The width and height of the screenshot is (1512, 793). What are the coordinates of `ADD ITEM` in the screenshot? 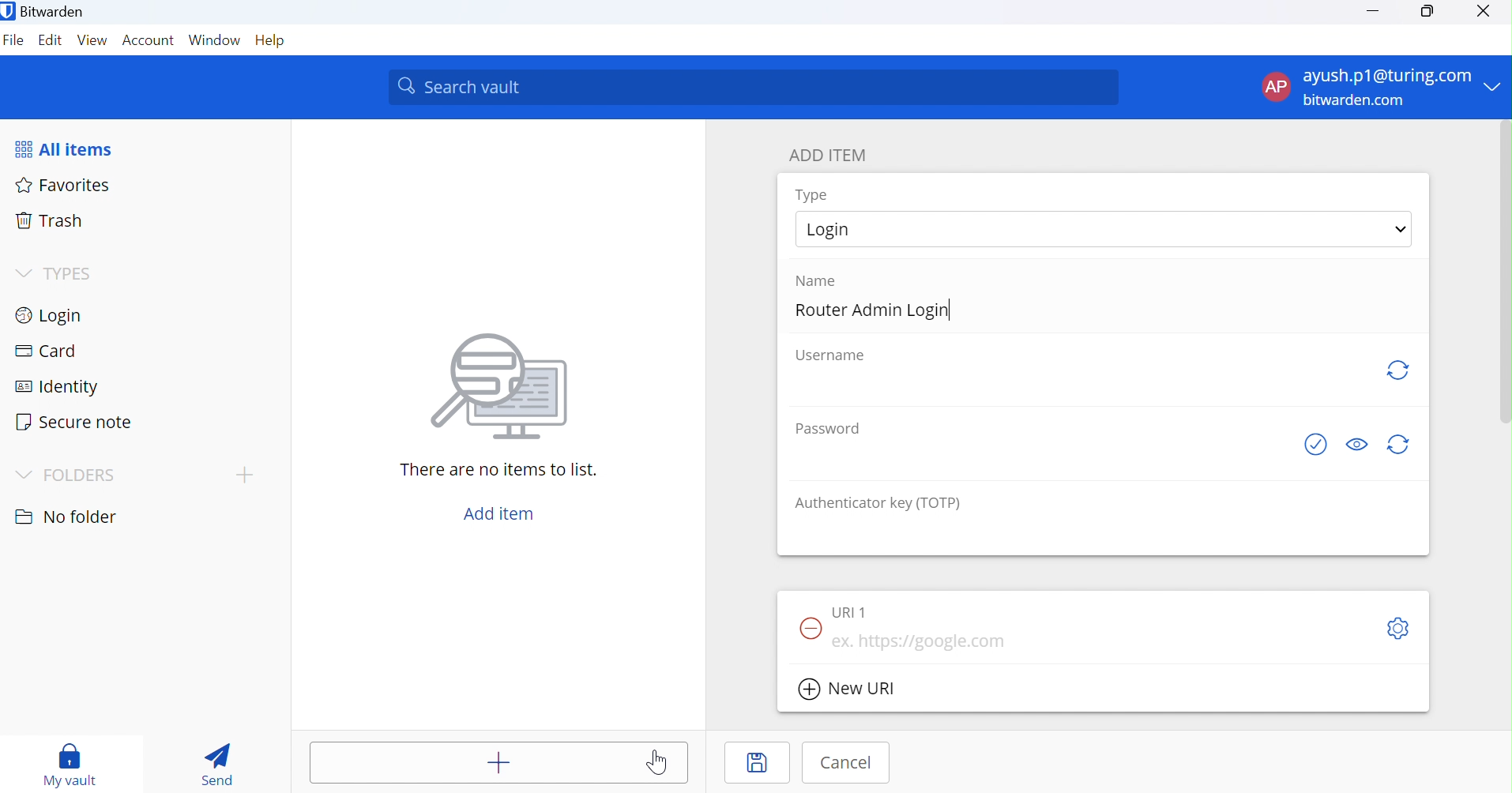 It's located at (834, 155).